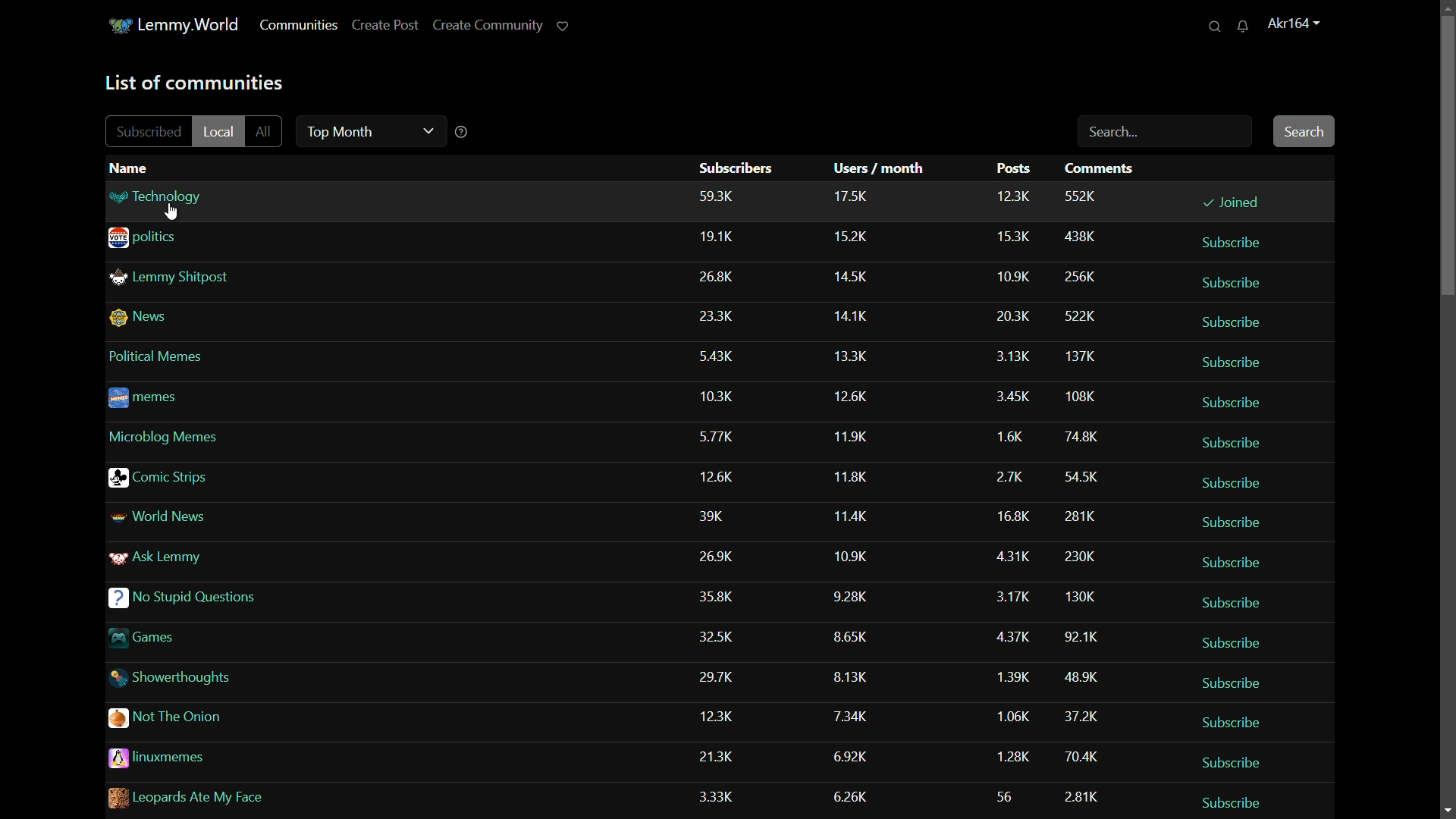 The width and height of the screenshot is (1456, 819). What do you see at coordinates (720, 500) in the screenshot?
I see `subscribers` at bounding box center [720, 500].